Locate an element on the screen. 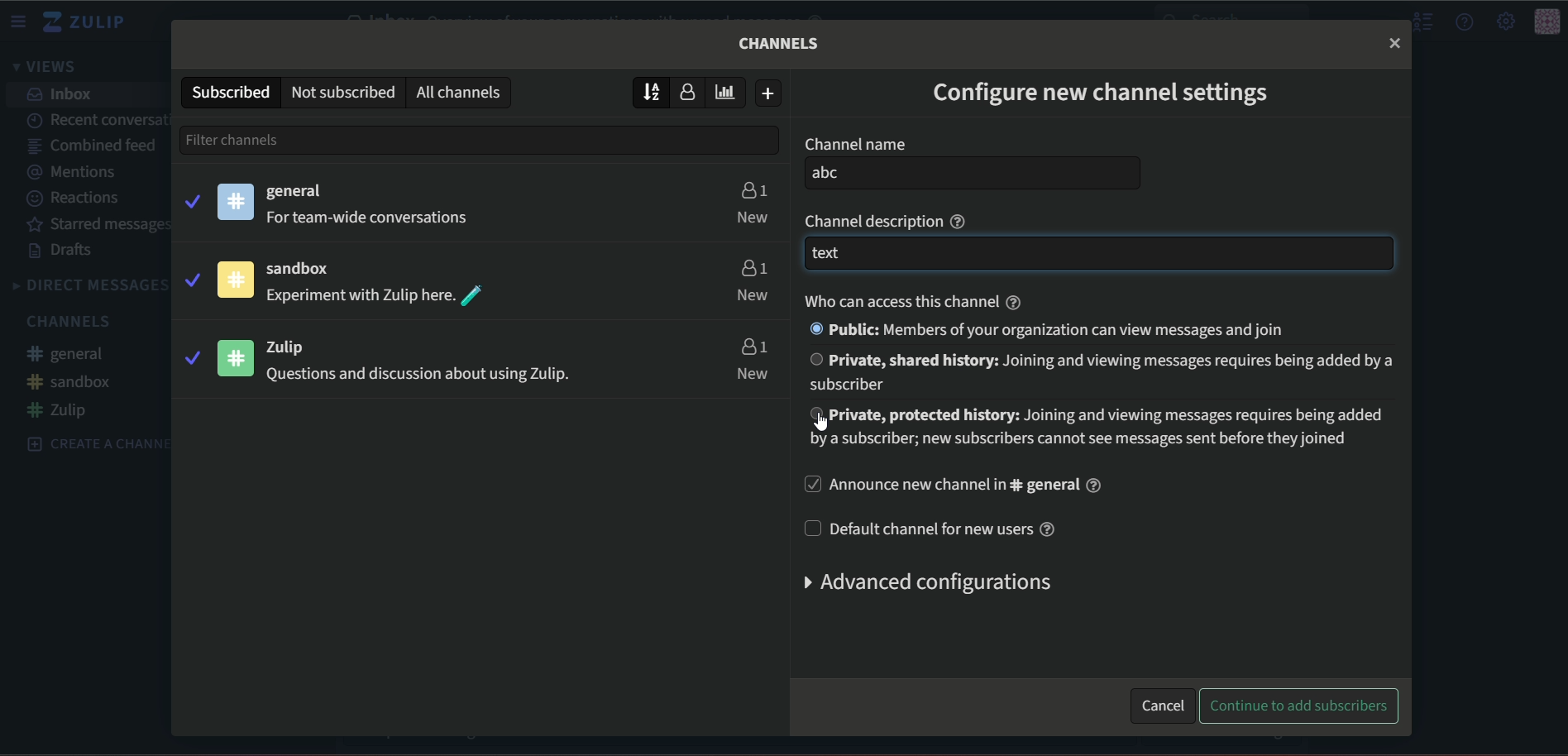  recent conversations is located at coordinates (98, 117).